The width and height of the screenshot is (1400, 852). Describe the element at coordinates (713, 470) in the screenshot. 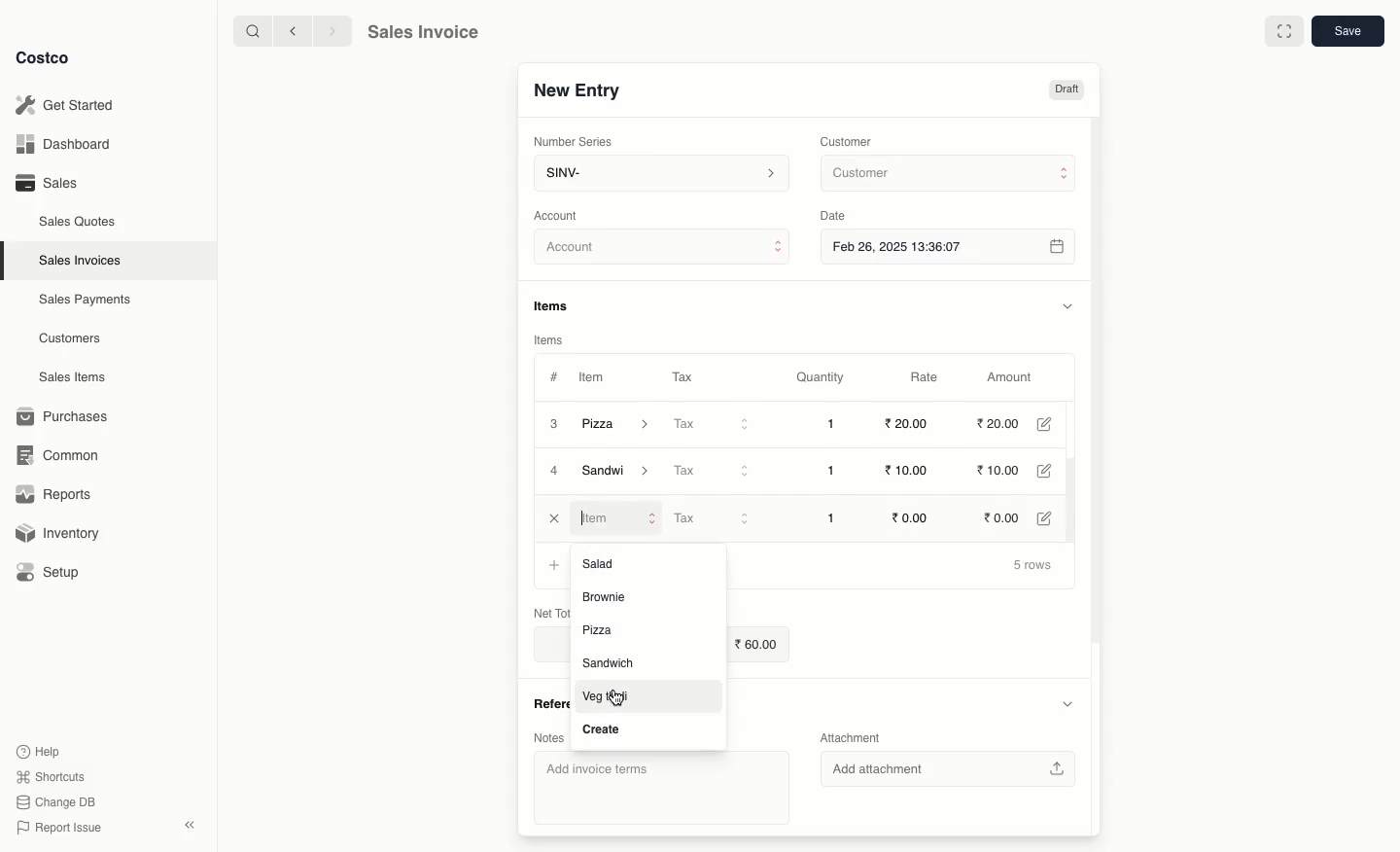

I see `Tax` at that location.